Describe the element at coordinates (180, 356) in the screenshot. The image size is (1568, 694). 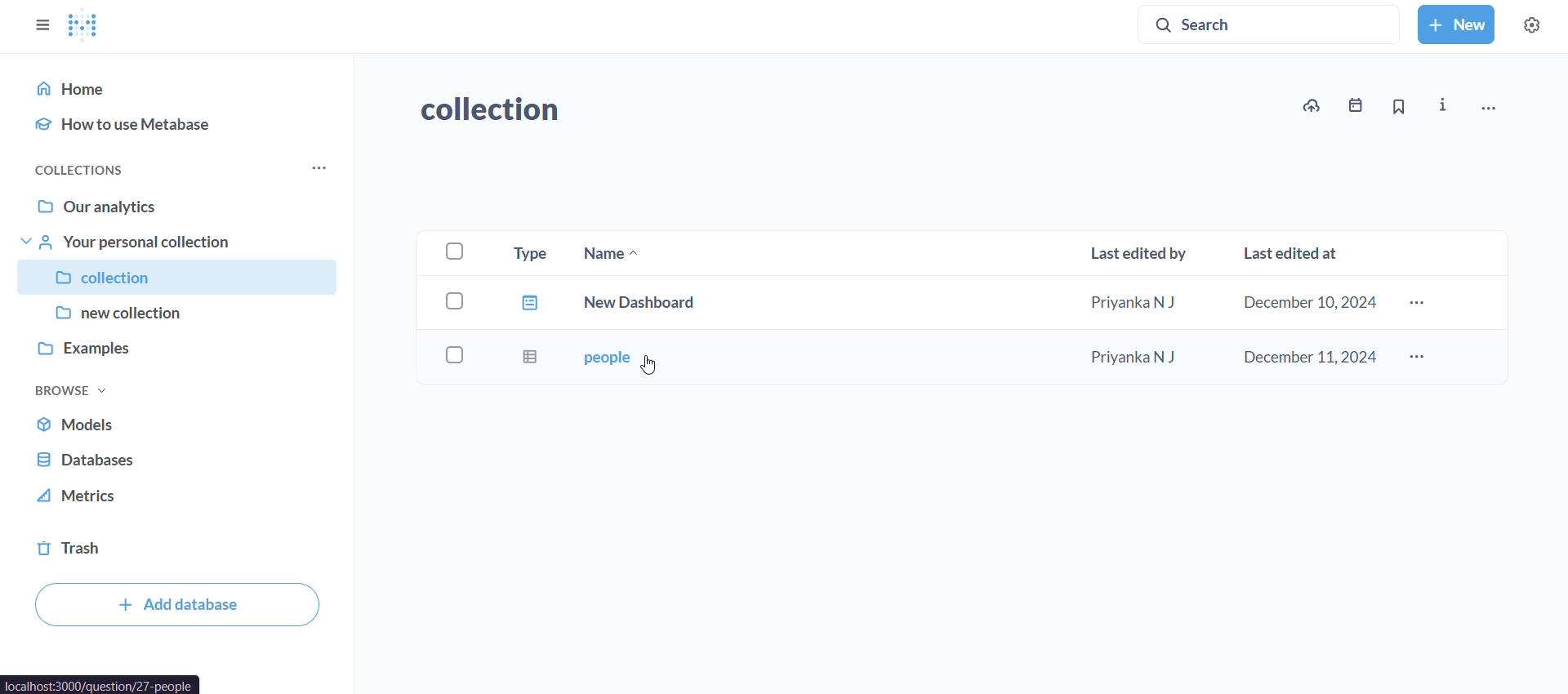
I see `examples` at that location.